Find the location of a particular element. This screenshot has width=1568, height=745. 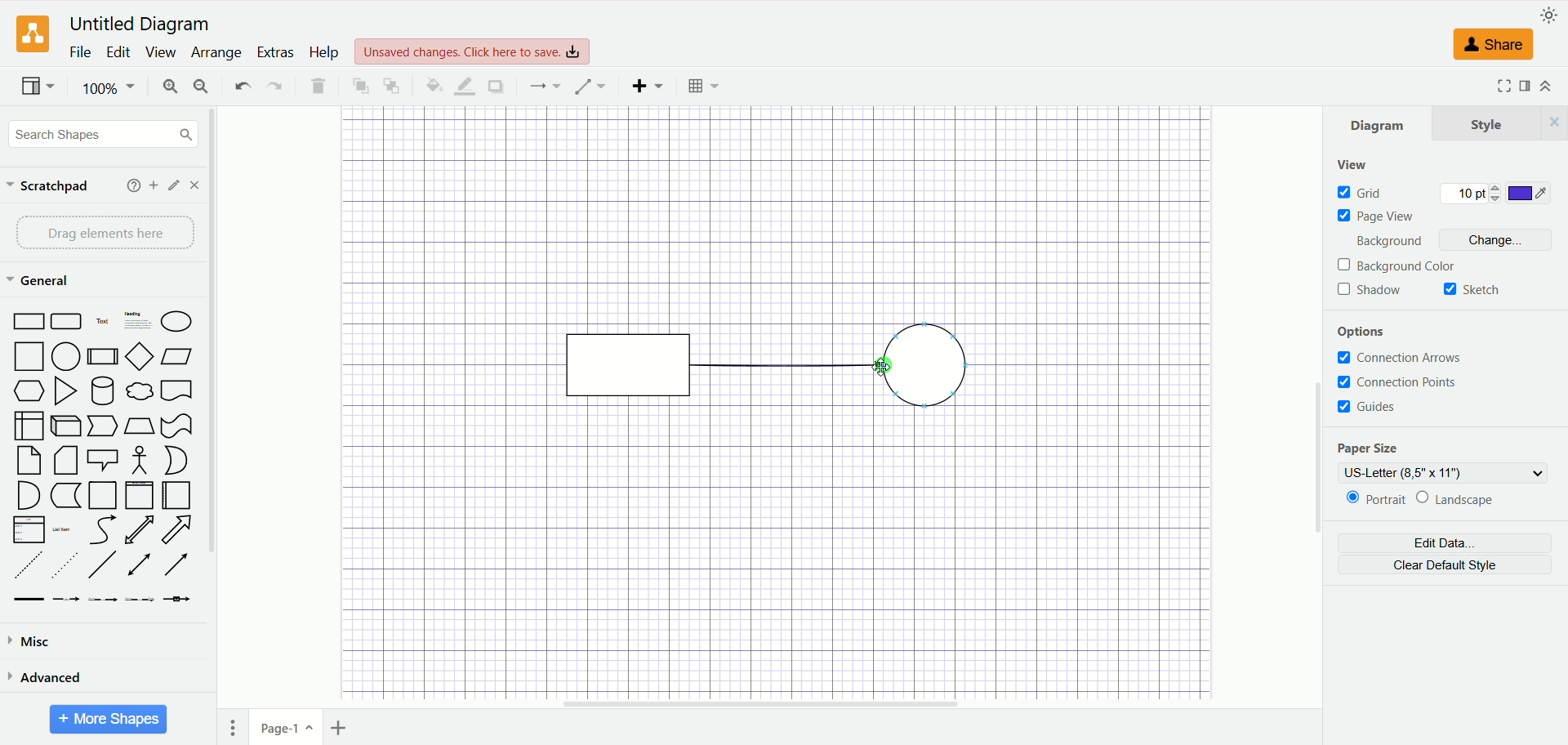

Fullscreen is located at coordinates (1499, 87).